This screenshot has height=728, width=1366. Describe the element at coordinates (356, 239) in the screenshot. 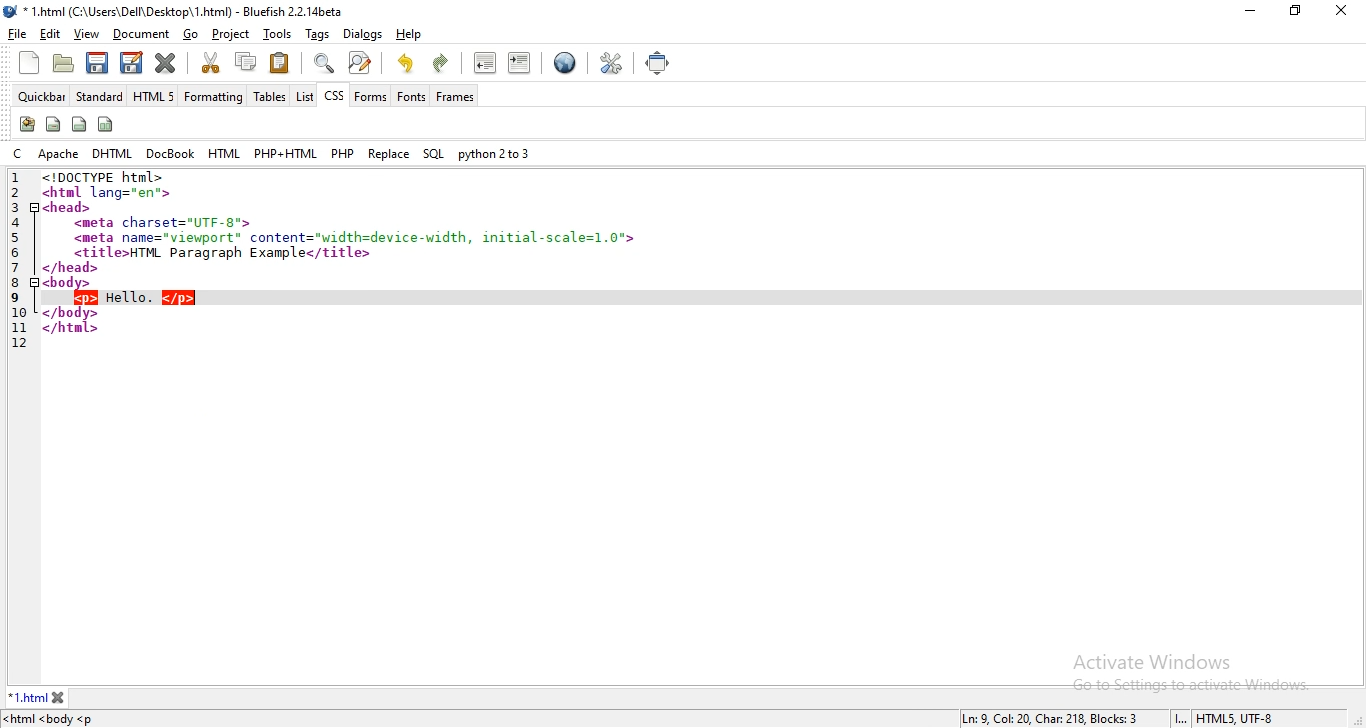

I see `<meta name="viewport" content="width=device-width, i1nitial-scale=1.0">` at that location.